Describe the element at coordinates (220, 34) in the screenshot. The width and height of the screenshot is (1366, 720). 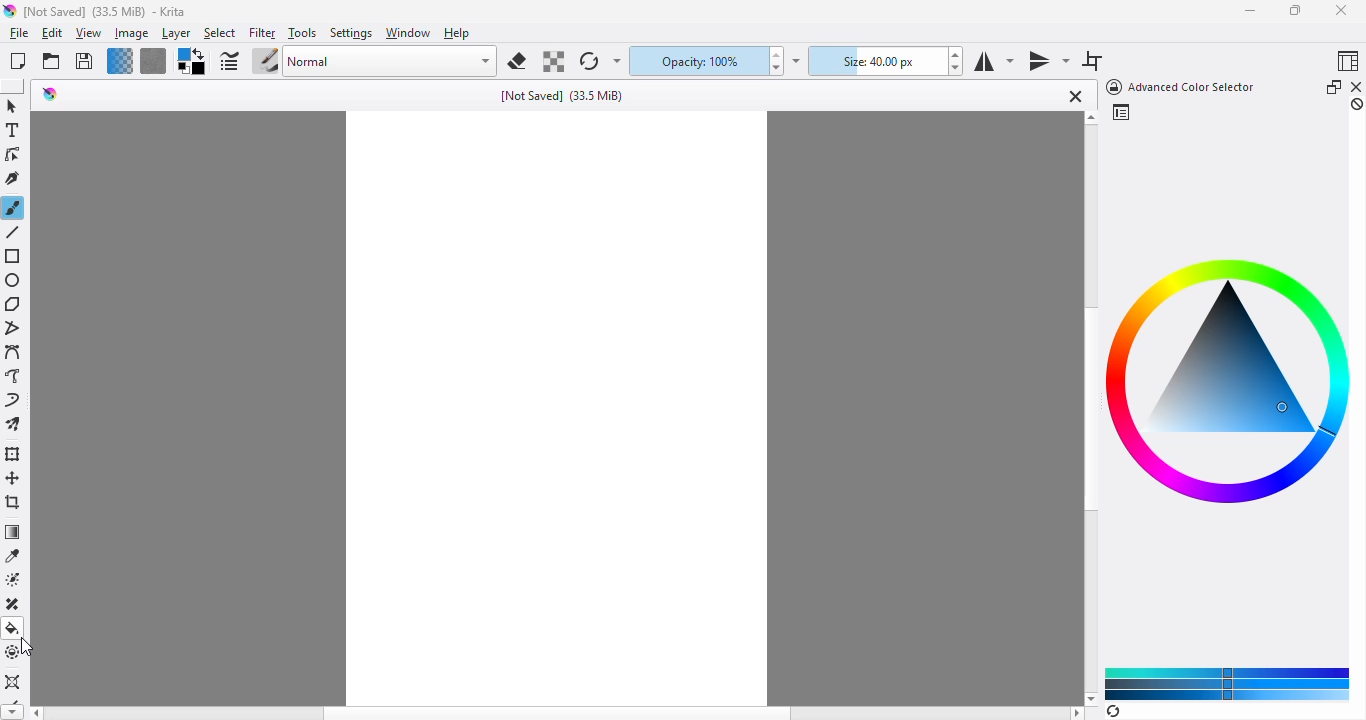
I see `select` at that location.